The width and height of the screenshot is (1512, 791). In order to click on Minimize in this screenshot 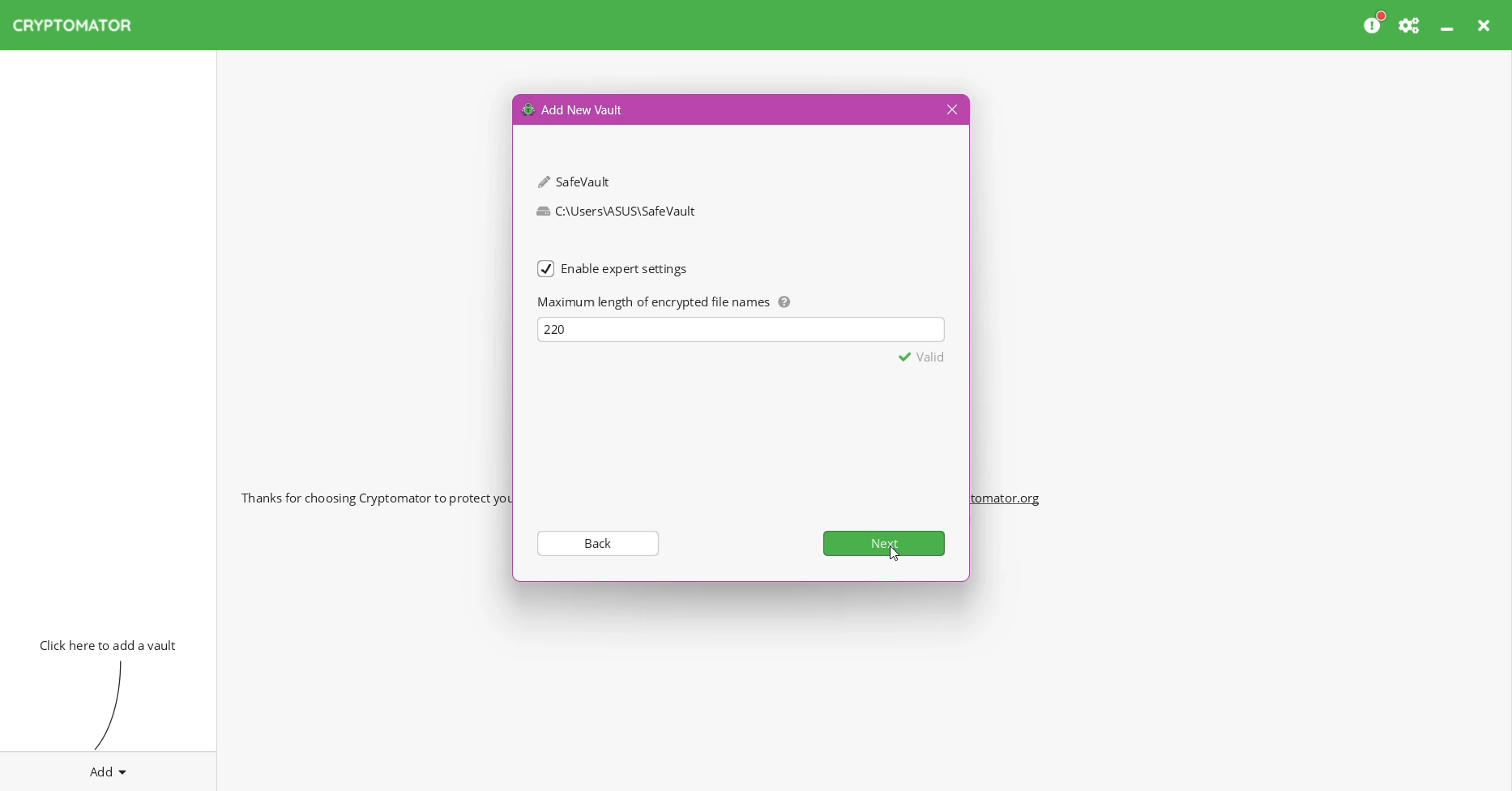, I will do `click(1449, 25)`.